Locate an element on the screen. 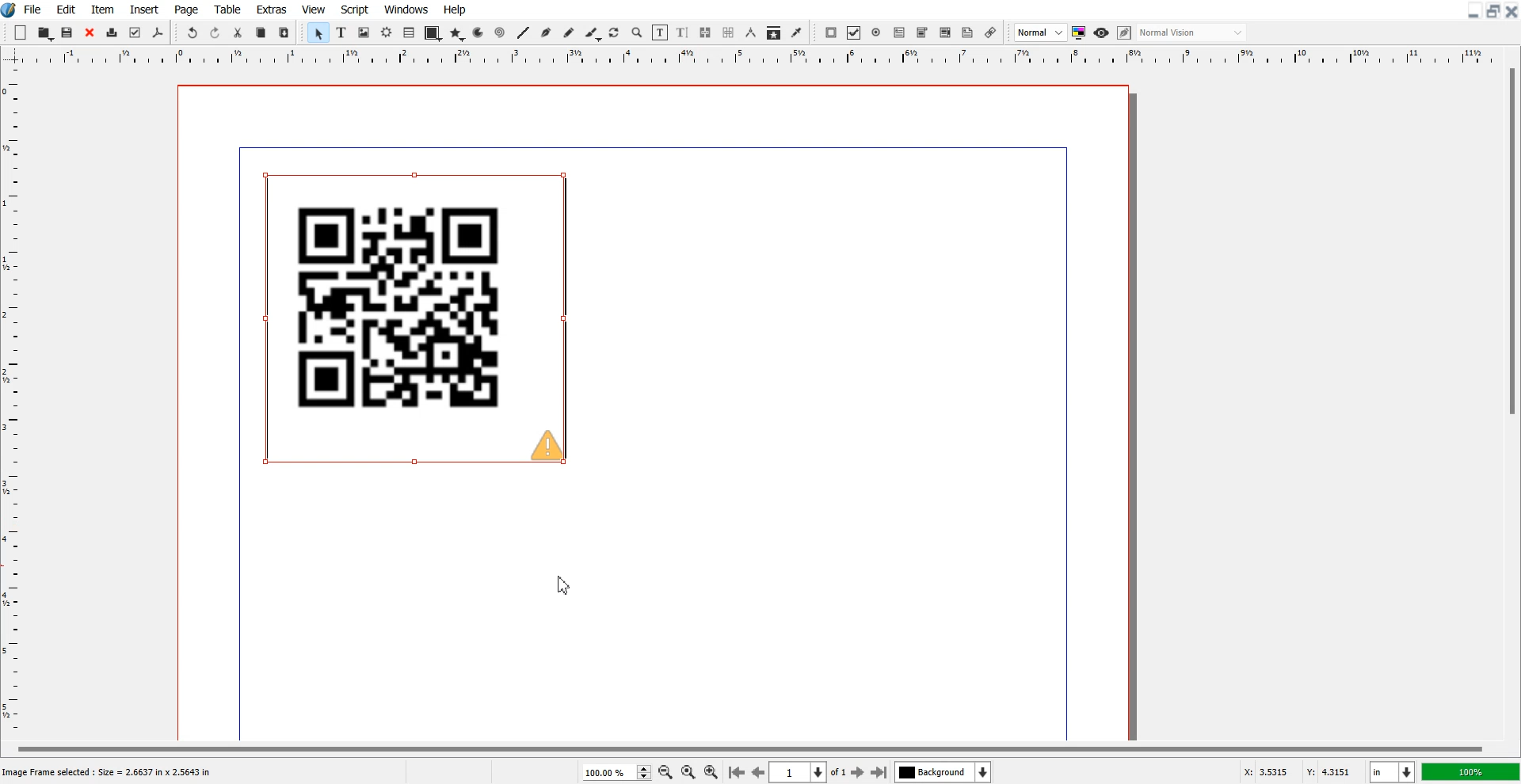 The height and width of the screenshot is (784, 1521). Horizontal Scale is located at coordinates (15, 403).